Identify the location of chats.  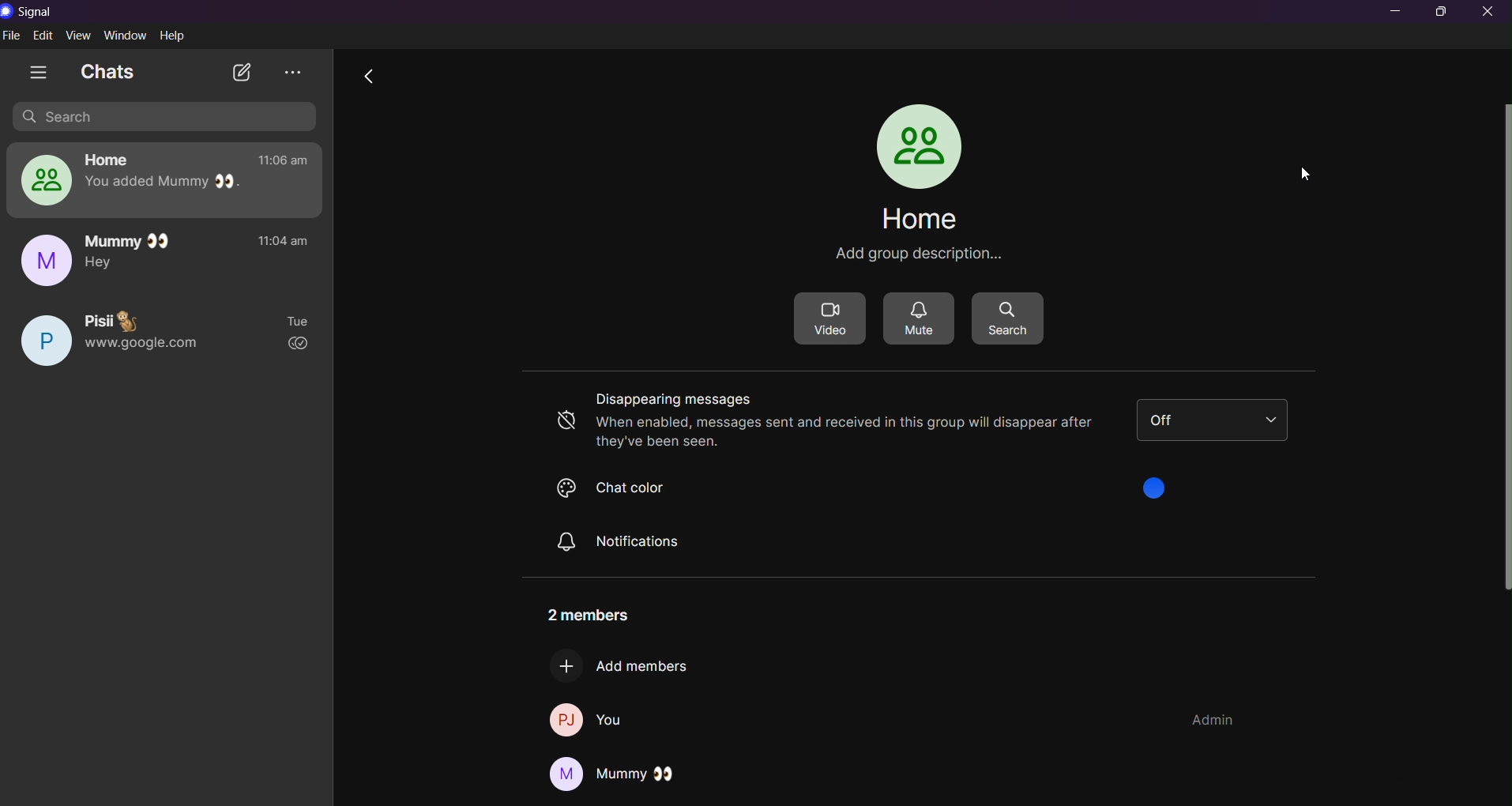
(110, 71).